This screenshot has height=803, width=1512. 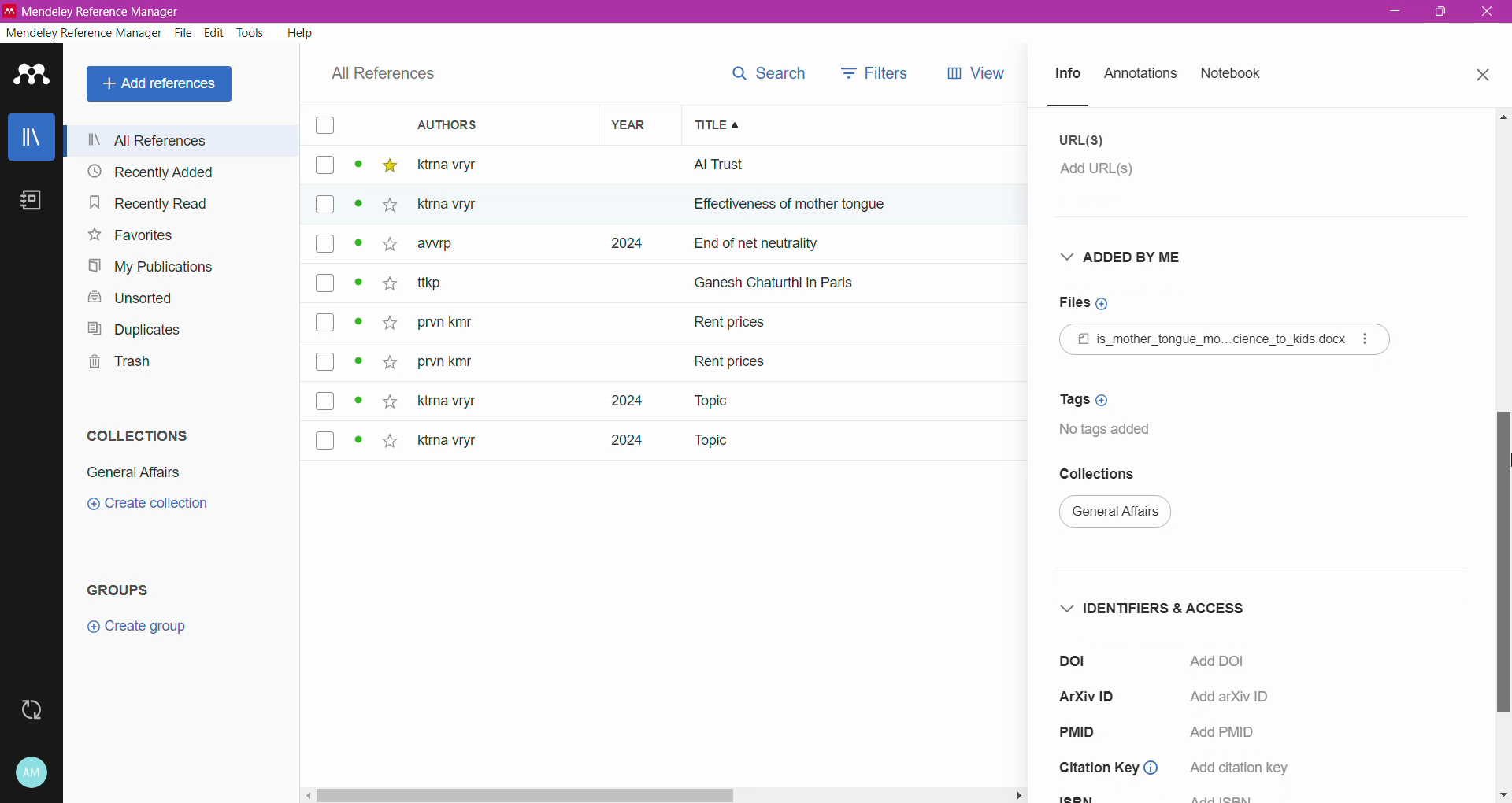 What do you see at coordinates (1229, 661) in the screenshot?
I see `Click to Add DOI` at bounding box center [1229, 661].